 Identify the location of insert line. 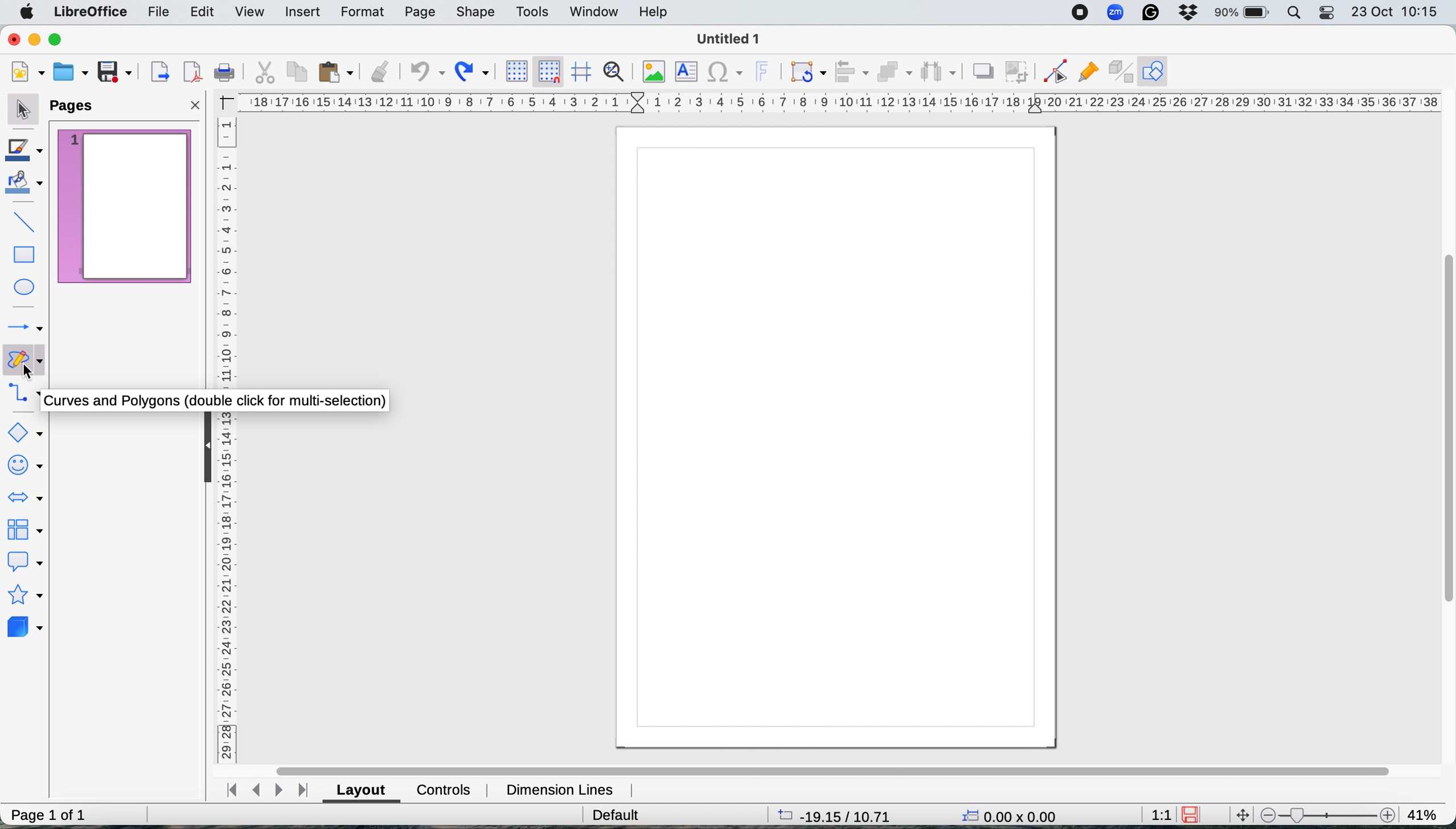
(25, 221).